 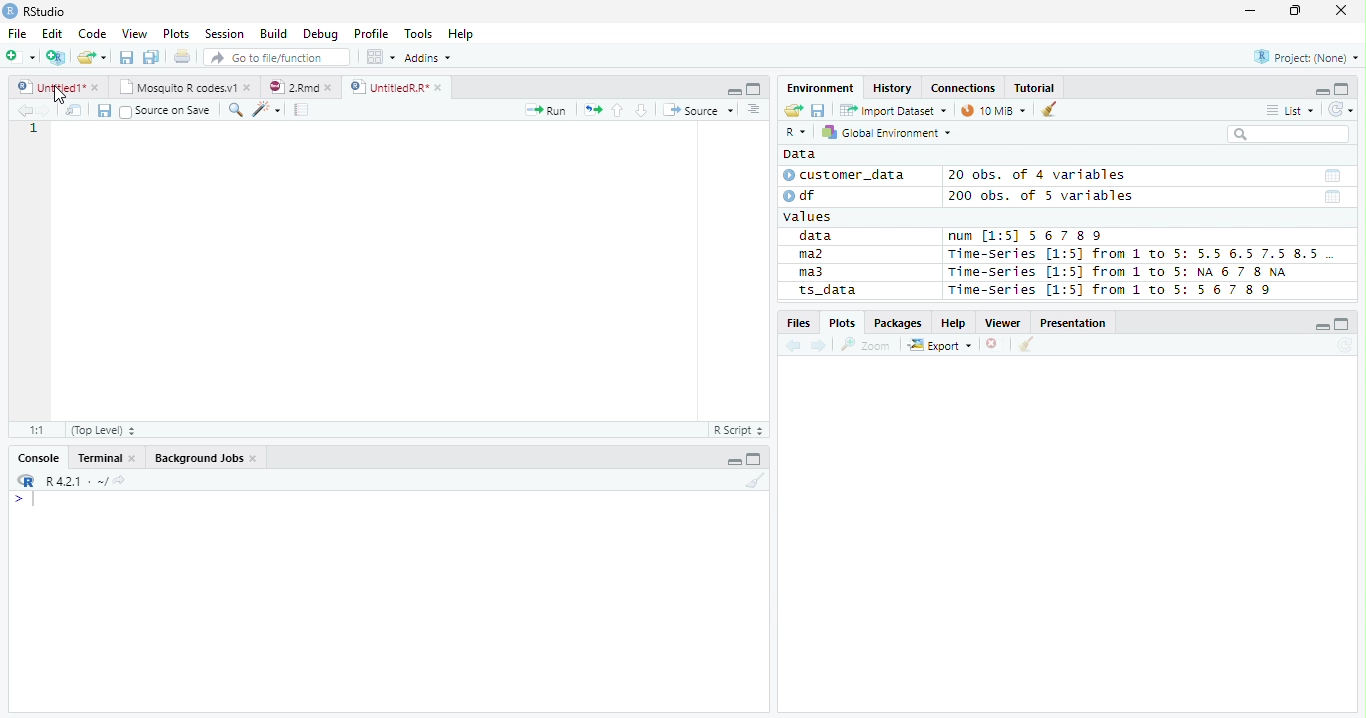 I want to click on Run, so click(x=548, y=111).